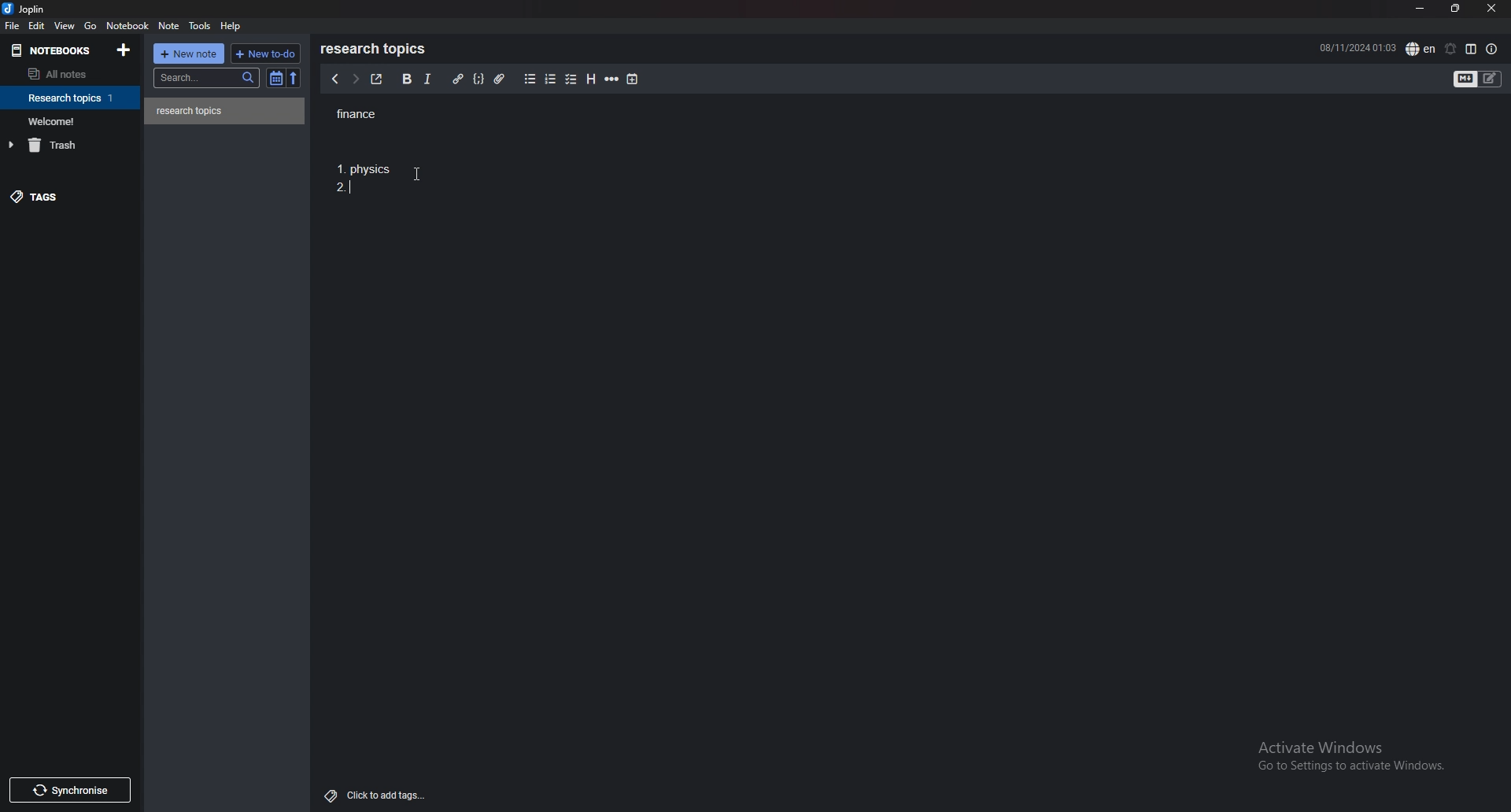  What do you see at coordinates (1471, 49) in the screenshot?
I see `toggle editor layout` at bounding box center [1471, 49].